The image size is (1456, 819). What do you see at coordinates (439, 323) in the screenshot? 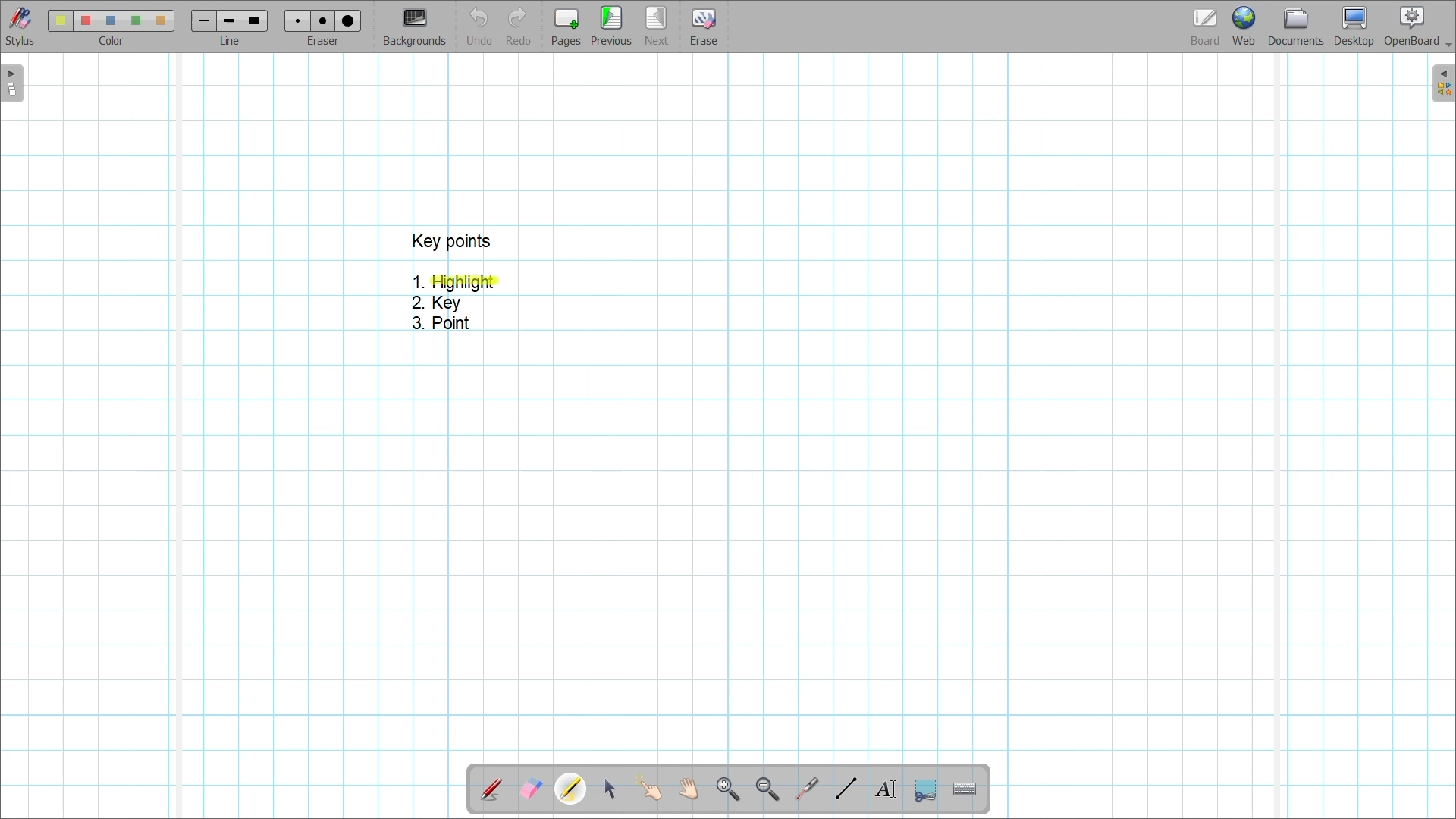
I see `3. Point` at bounding box center [439, 323].